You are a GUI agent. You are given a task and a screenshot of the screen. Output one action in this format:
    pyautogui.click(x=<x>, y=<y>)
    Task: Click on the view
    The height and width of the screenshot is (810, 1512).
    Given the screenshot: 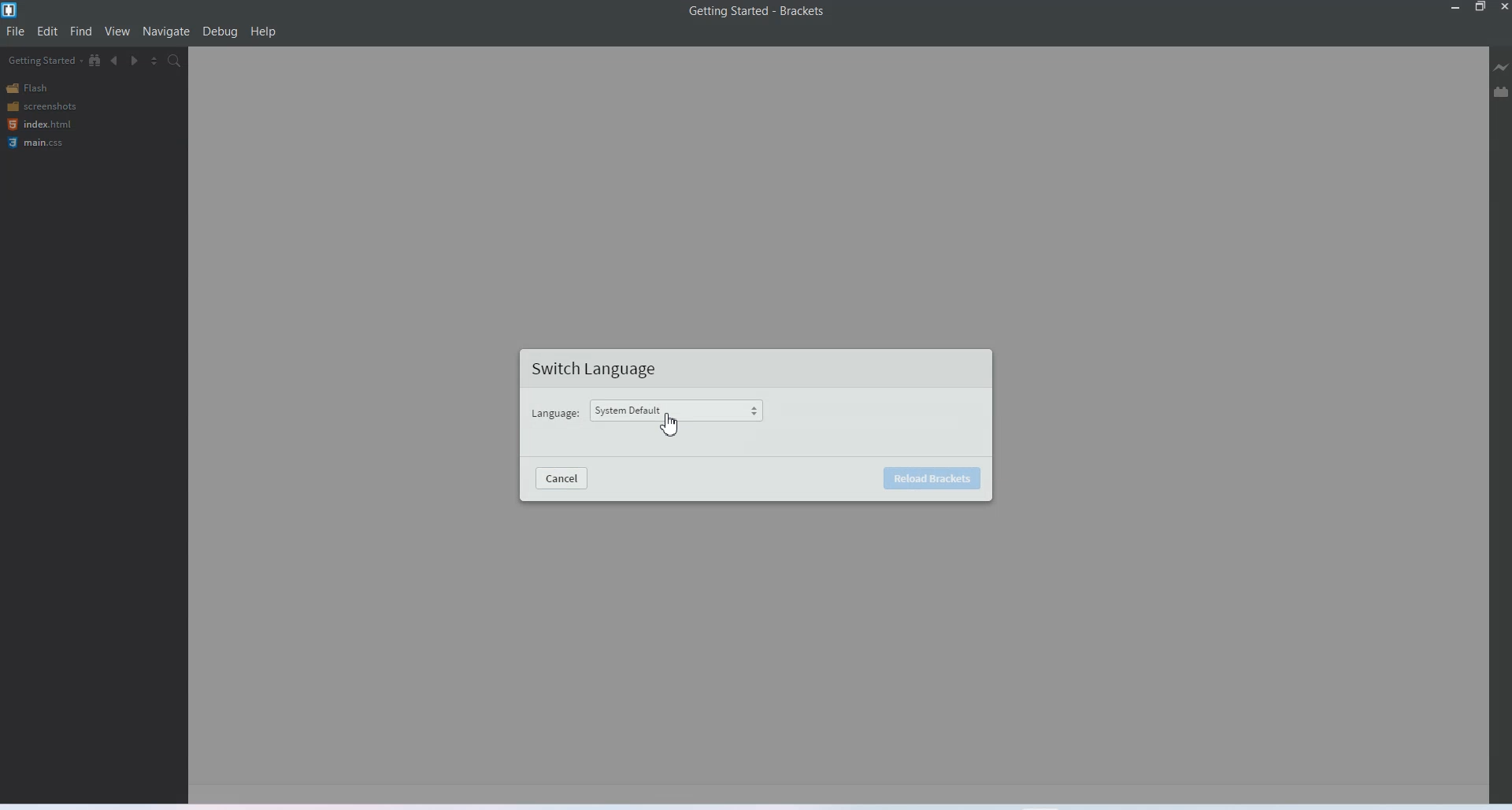 What is the action you would take?
    pyautogui.click(x=118, y=31)
    